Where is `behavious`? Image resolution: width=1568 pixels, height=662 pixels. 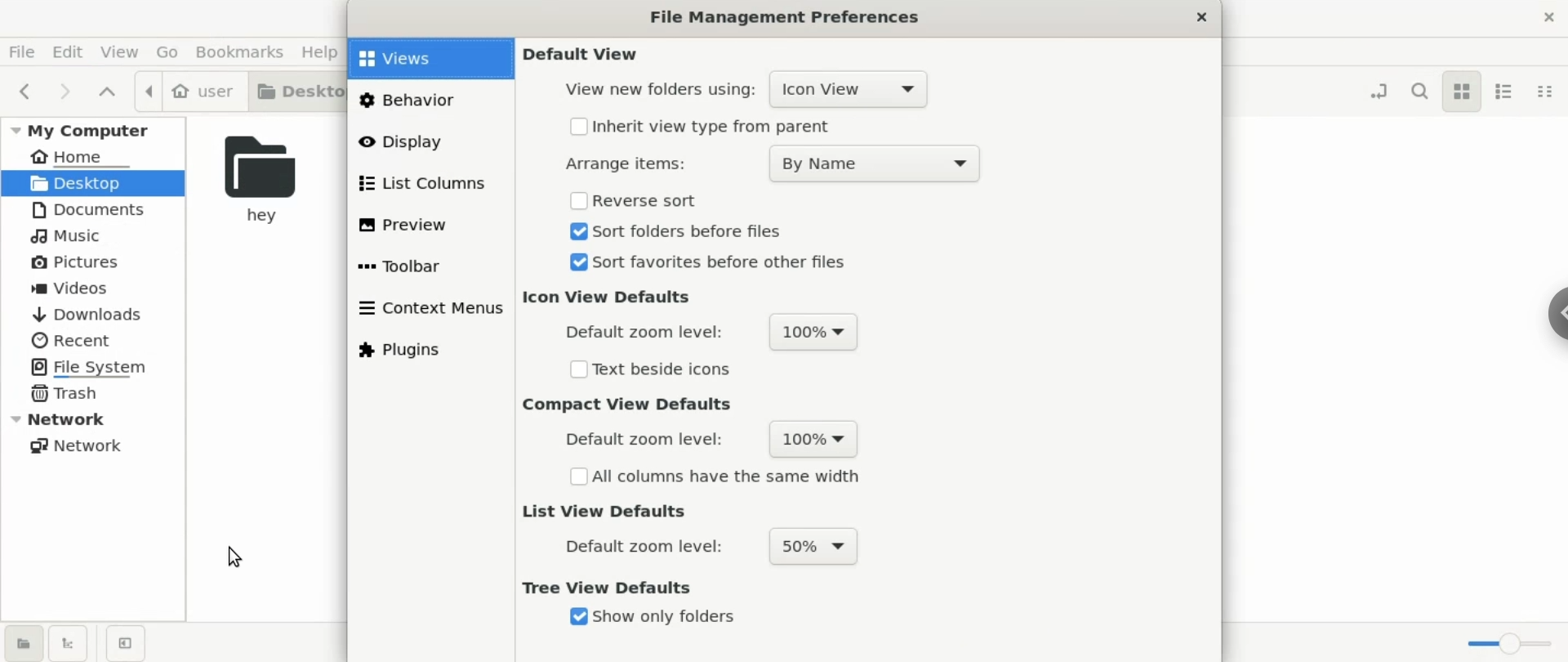 behavious is located at coordinates (426, 99).